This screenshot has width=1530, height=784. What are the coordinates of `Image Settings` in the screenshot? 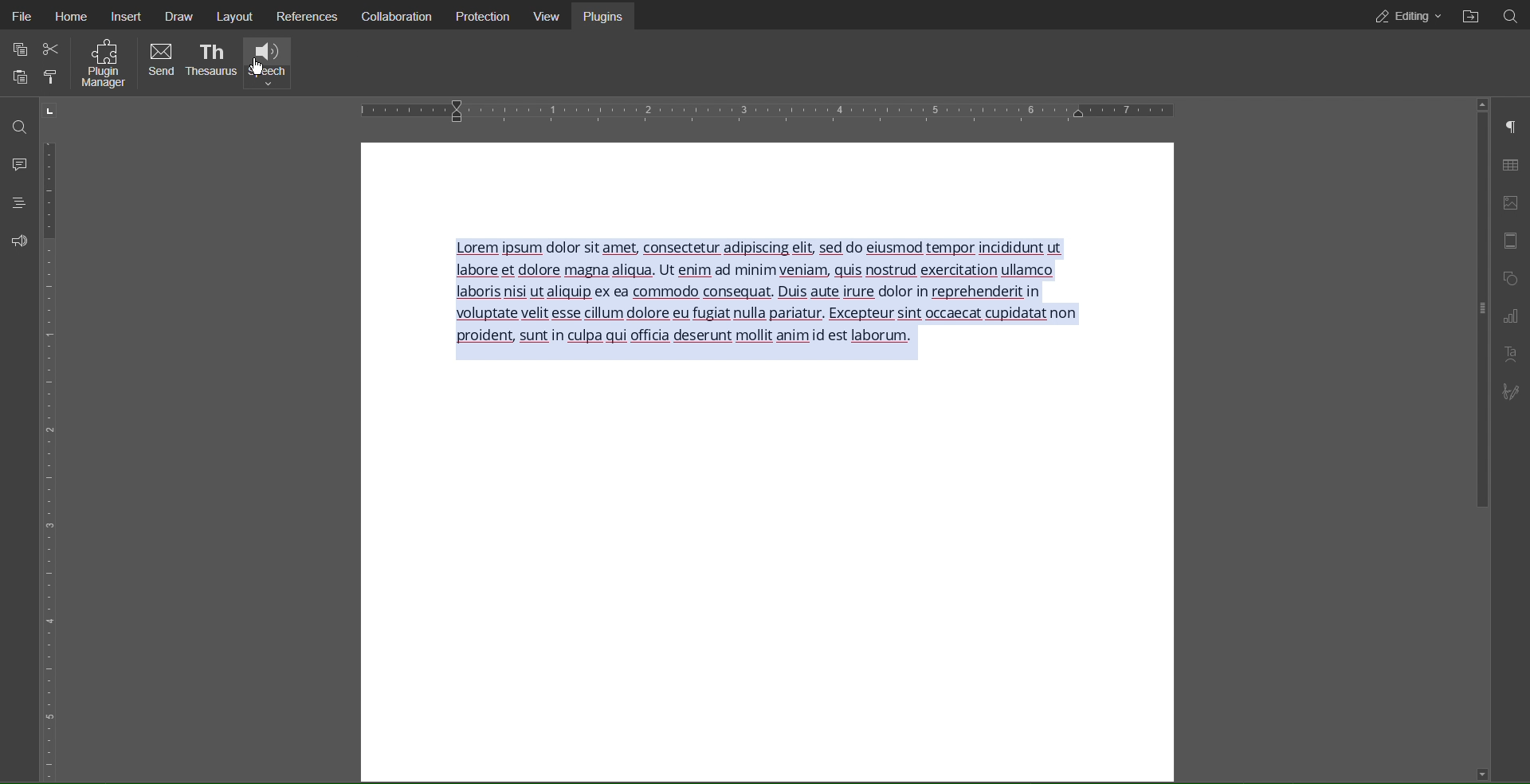 It's located at (1509, 203).